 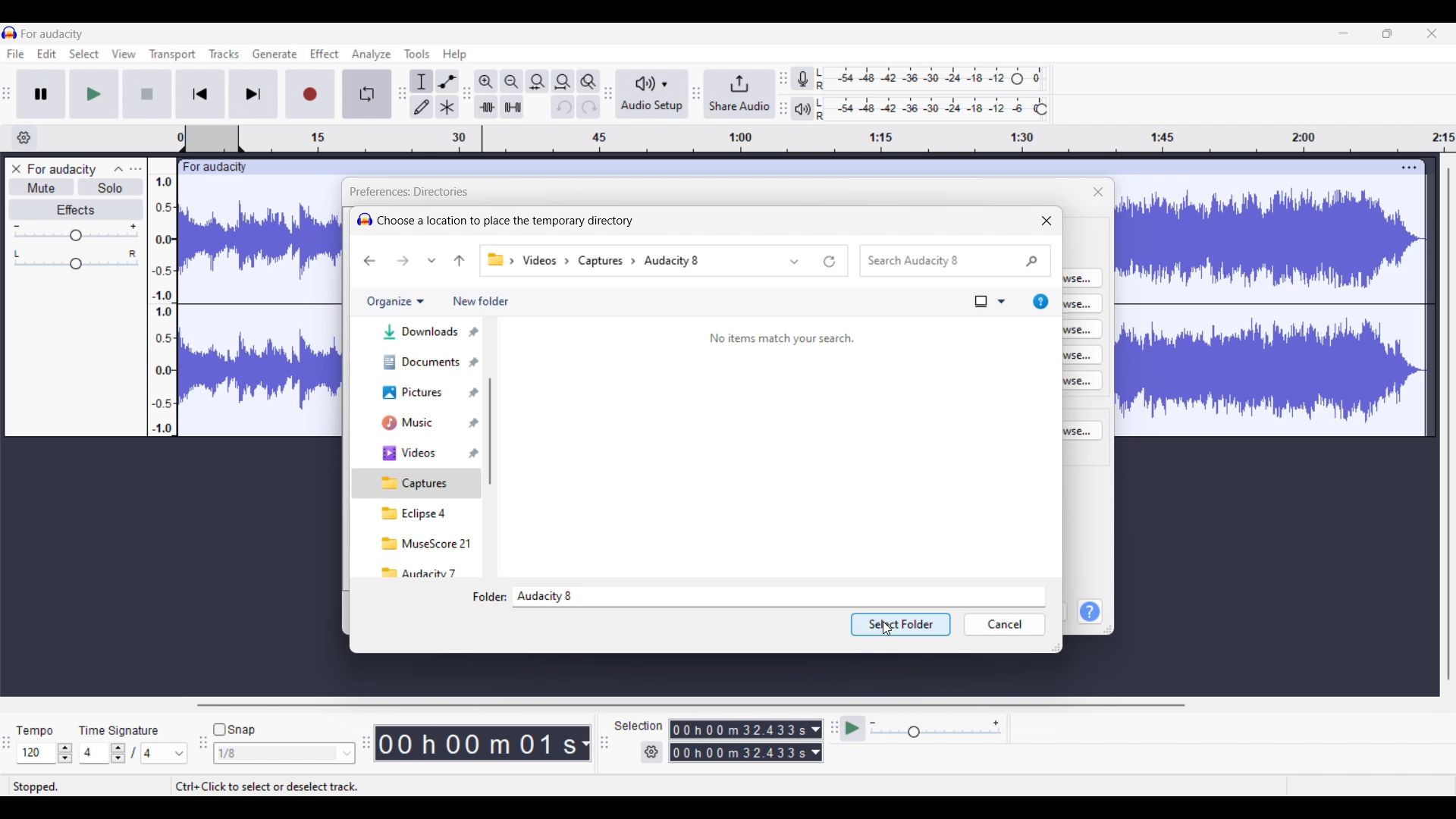 What do you see at coordinates (460, 261) in the screenshot?
I see `Move to previous folder in pathway` at bounding box center [460, 261].